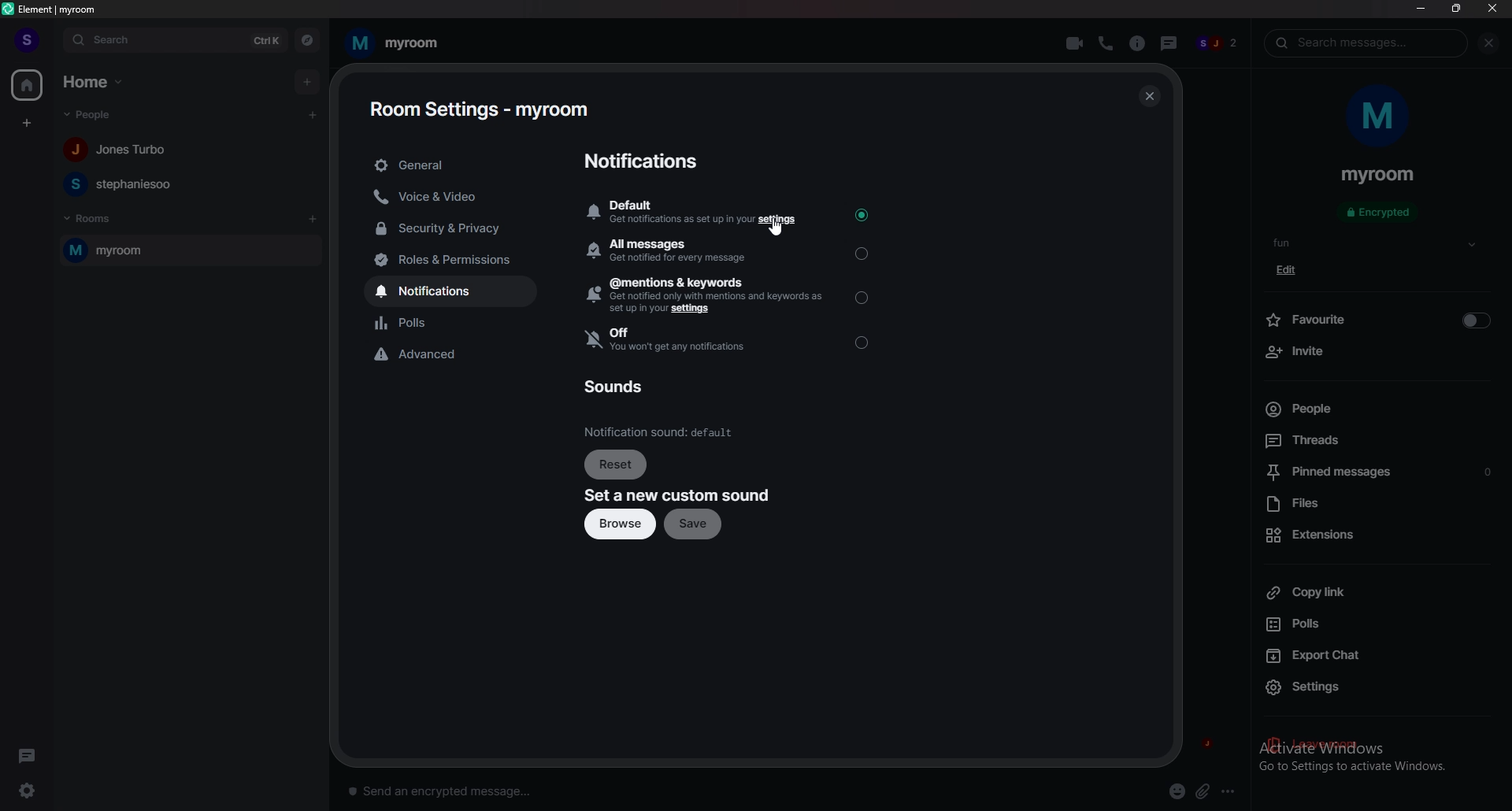 The height and width of the screenshot is (811, 1512). I want to click on voice and video, so click(454, 196).